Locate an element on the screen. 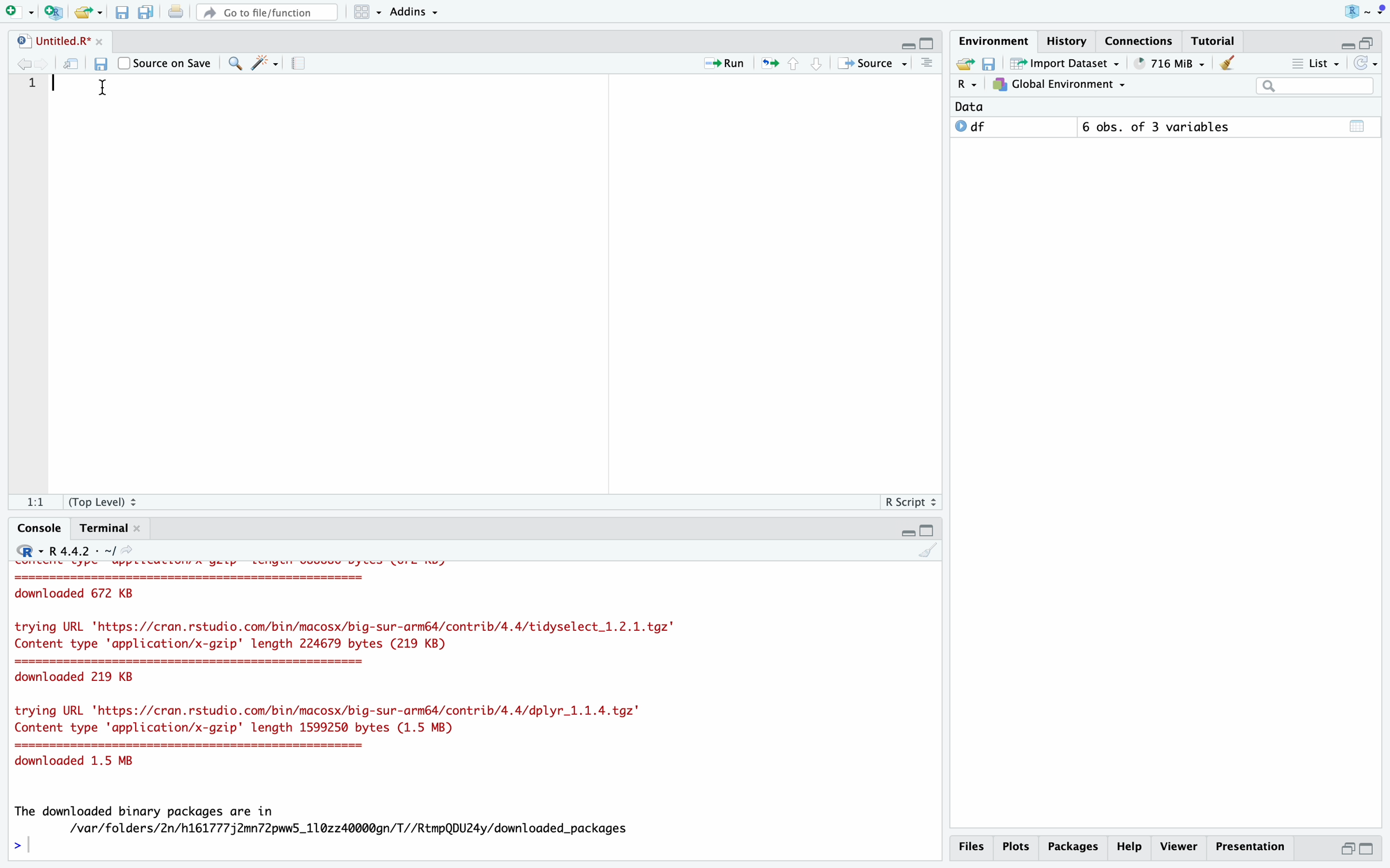  Console is located at coordinates (40, 528).